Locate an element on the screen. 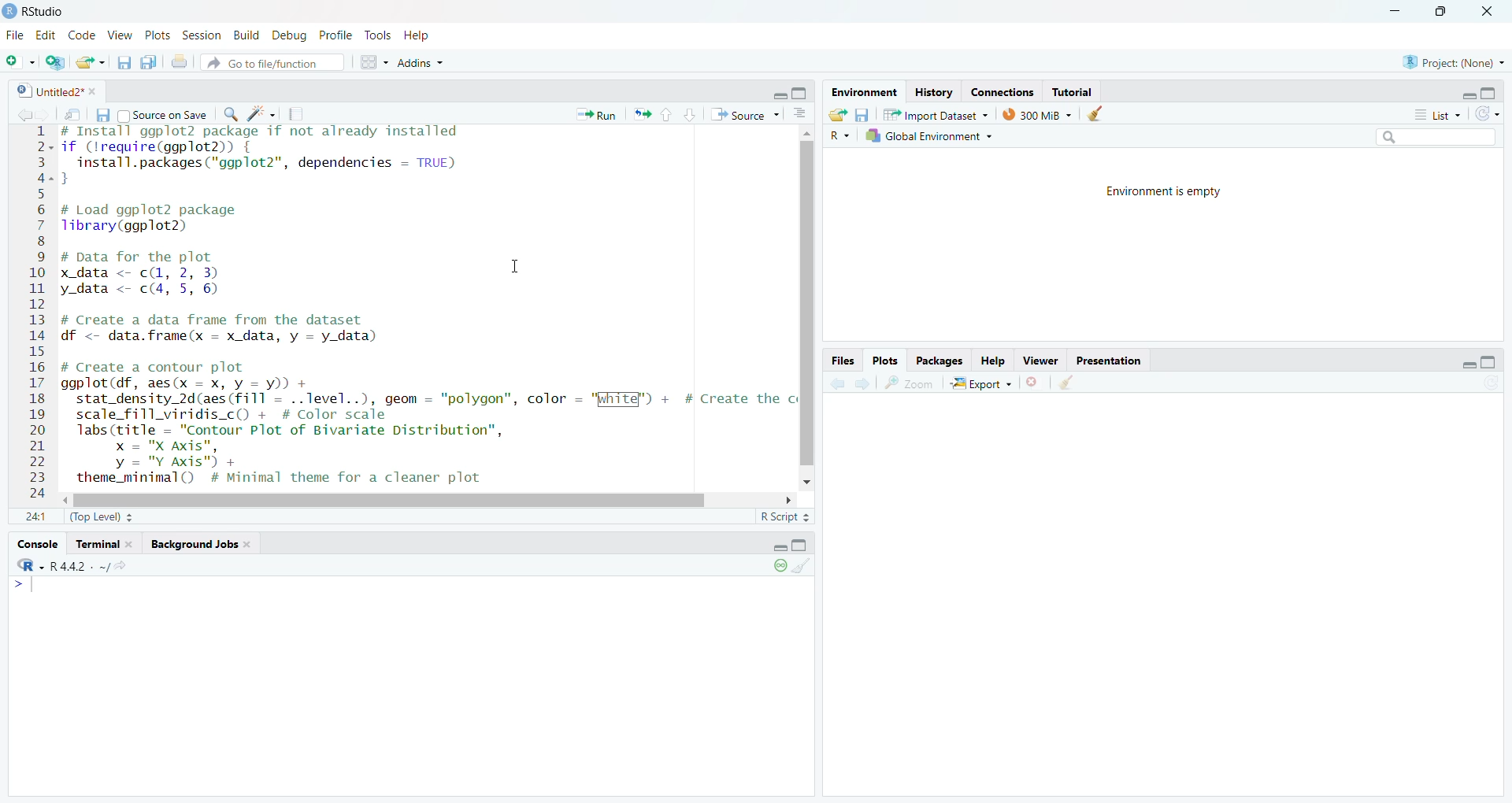 This screenshot has width=1512, height=803. background Jobs is located at coordinates (199, 546).